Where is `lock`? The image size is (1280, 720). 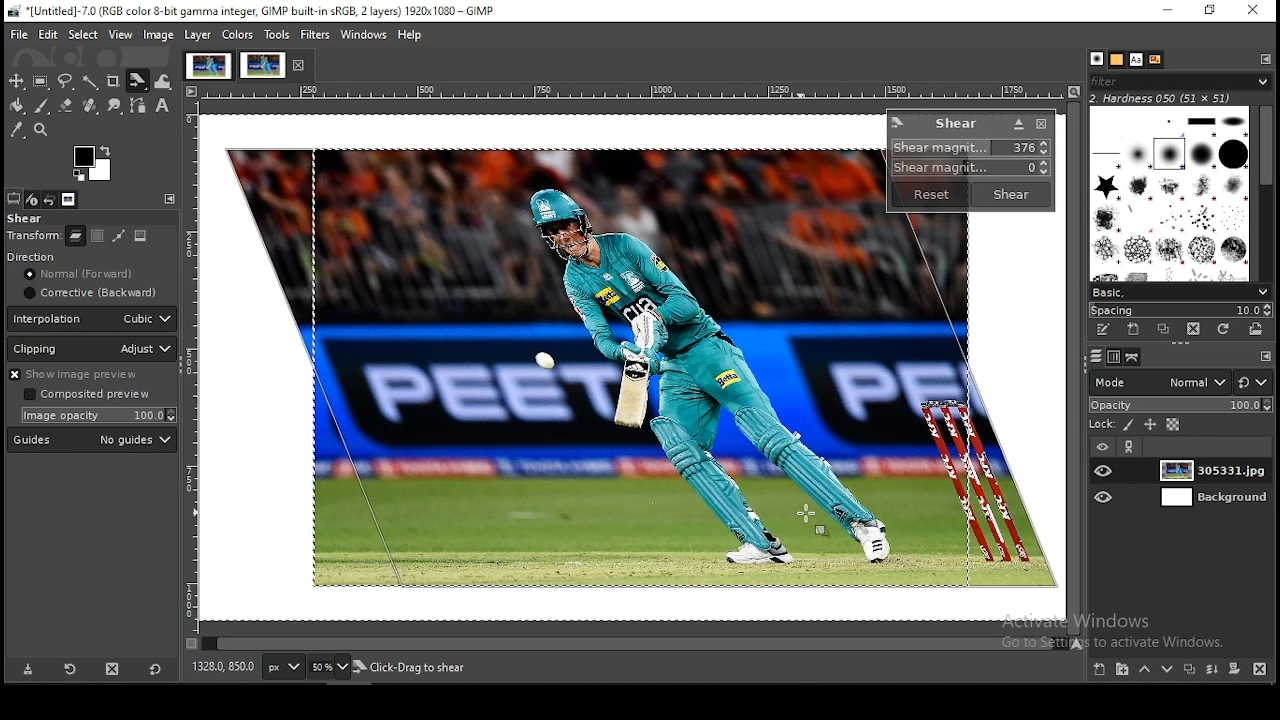
lock is located at coordinates (1096, 426).